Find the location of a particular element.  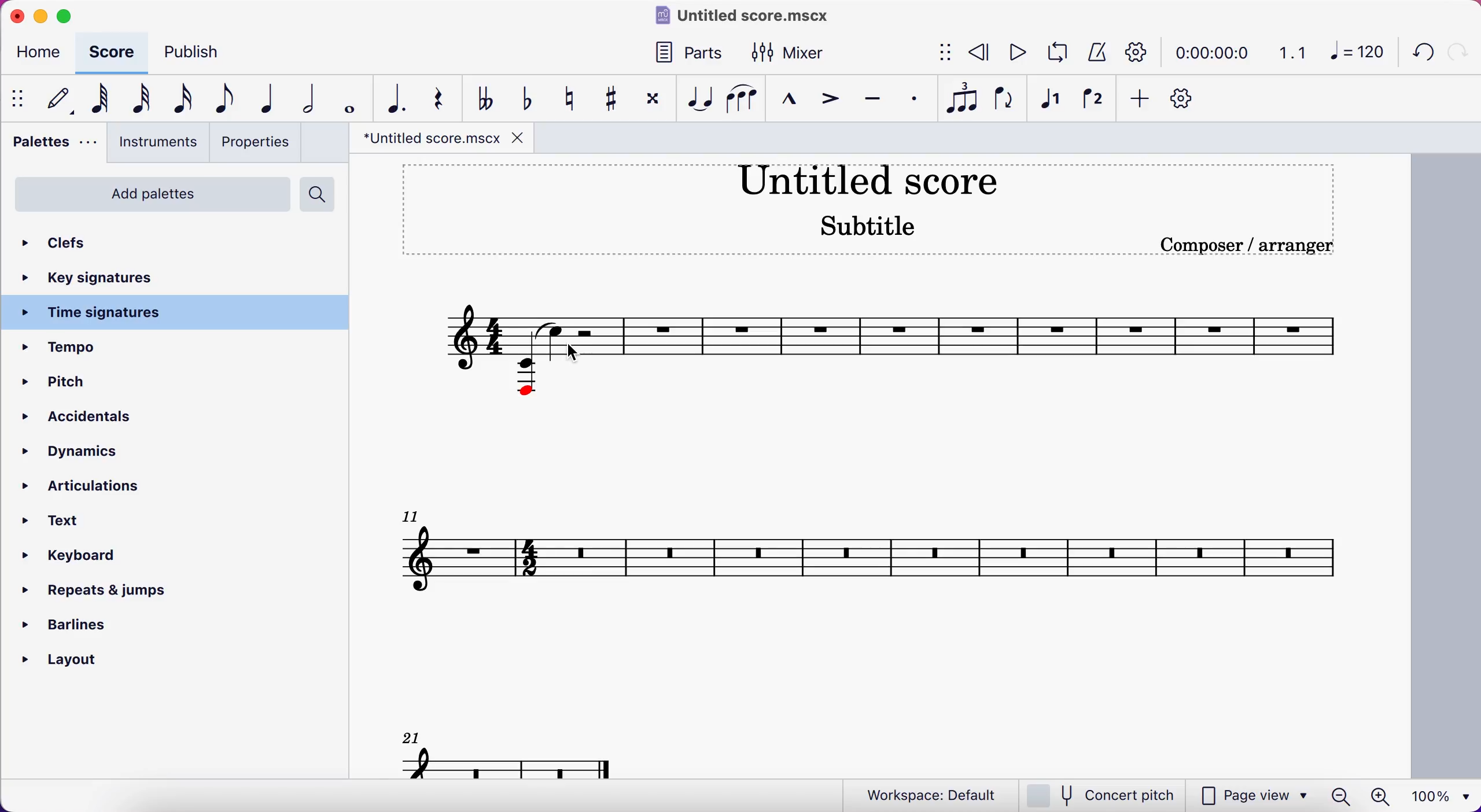

zoom in is located at coordinates (1382, 796).